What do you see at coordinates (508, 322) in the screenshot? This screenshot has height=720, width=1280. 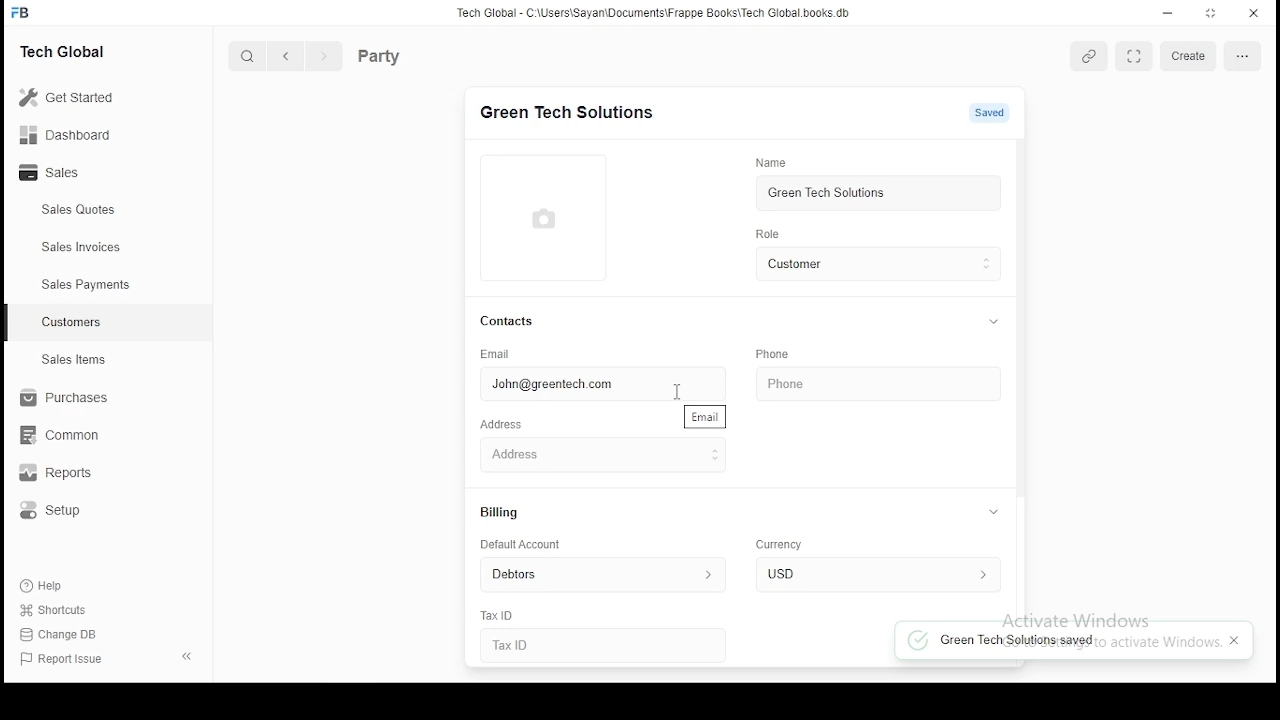 I see `contacts` at bounding box center [508, 322].